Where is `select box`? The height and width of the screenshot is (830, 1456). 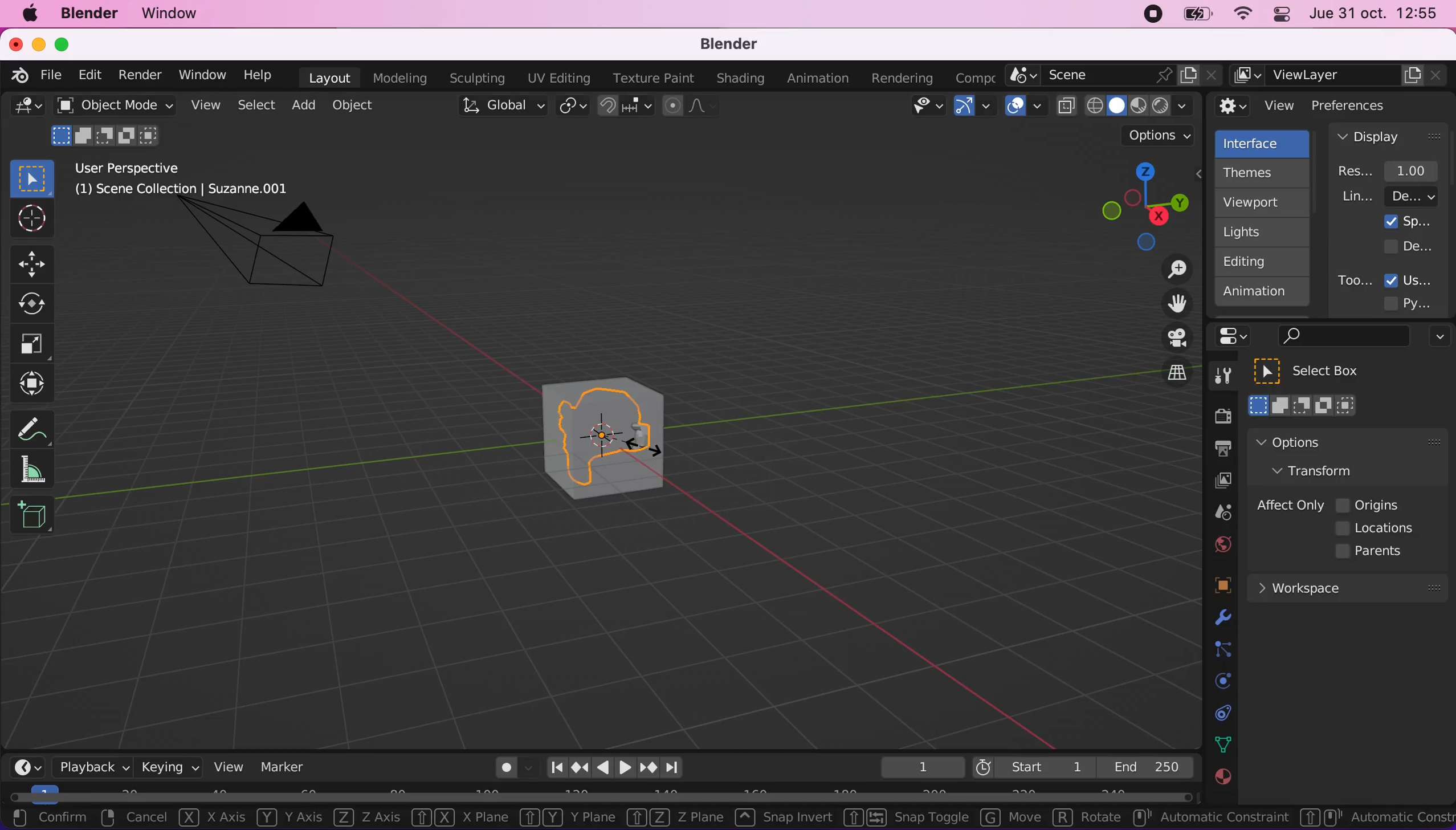 select box is located at coordinates (32, 178).